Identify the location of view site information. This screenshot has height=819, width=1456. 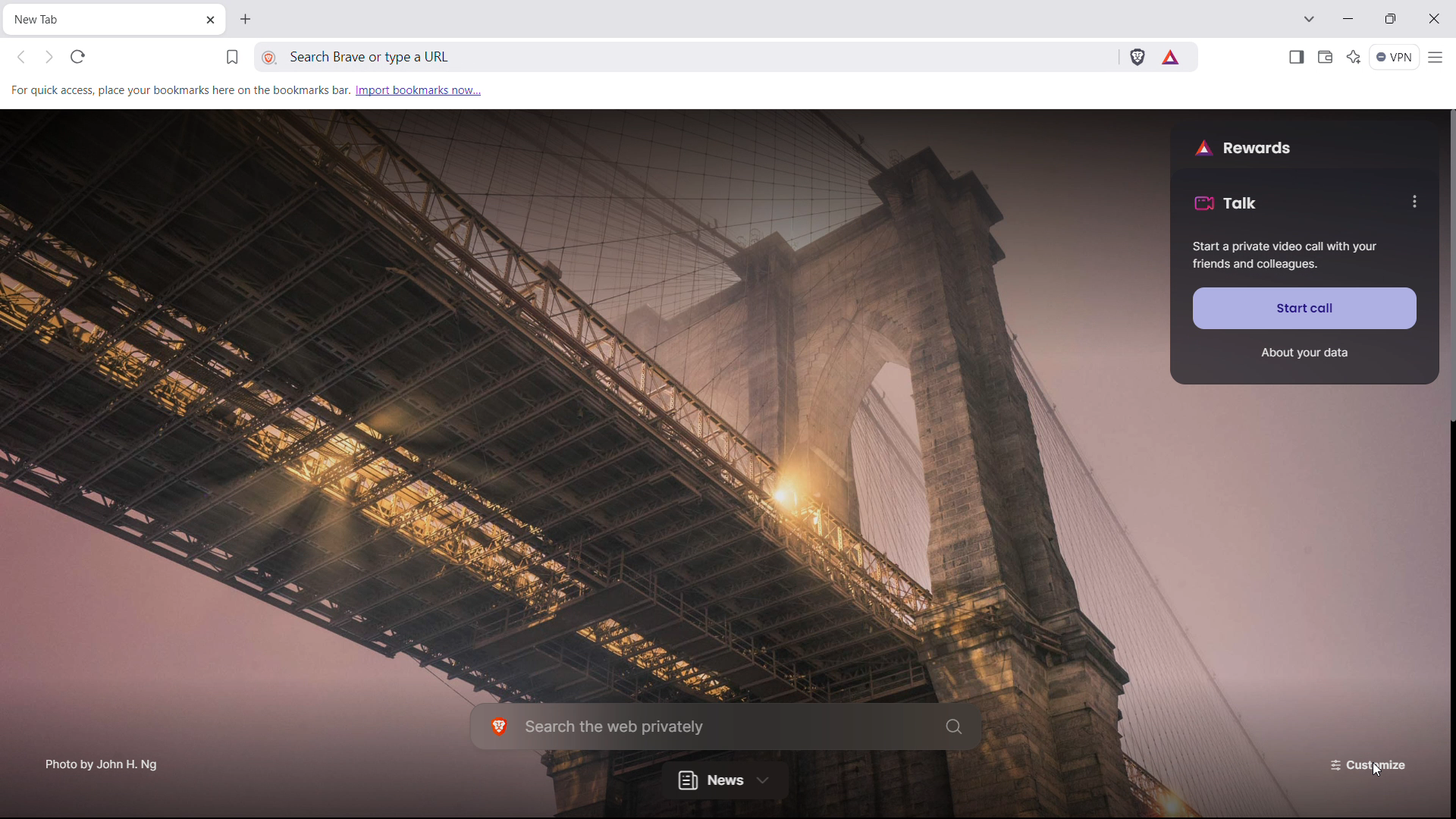
(270, 58).